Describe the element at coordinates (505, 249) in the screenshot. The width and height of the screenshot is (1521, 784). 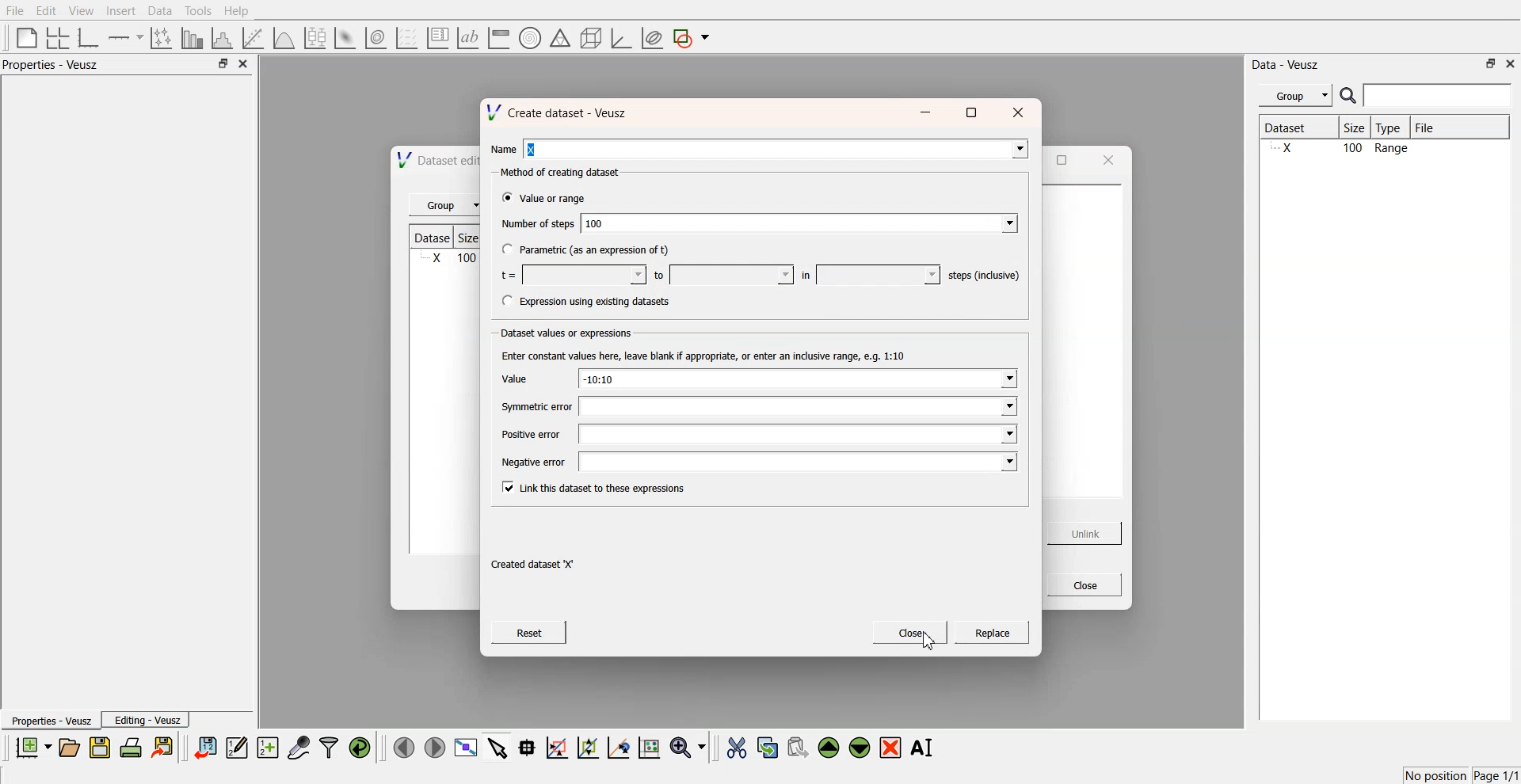
I see `checkbox` at that location.